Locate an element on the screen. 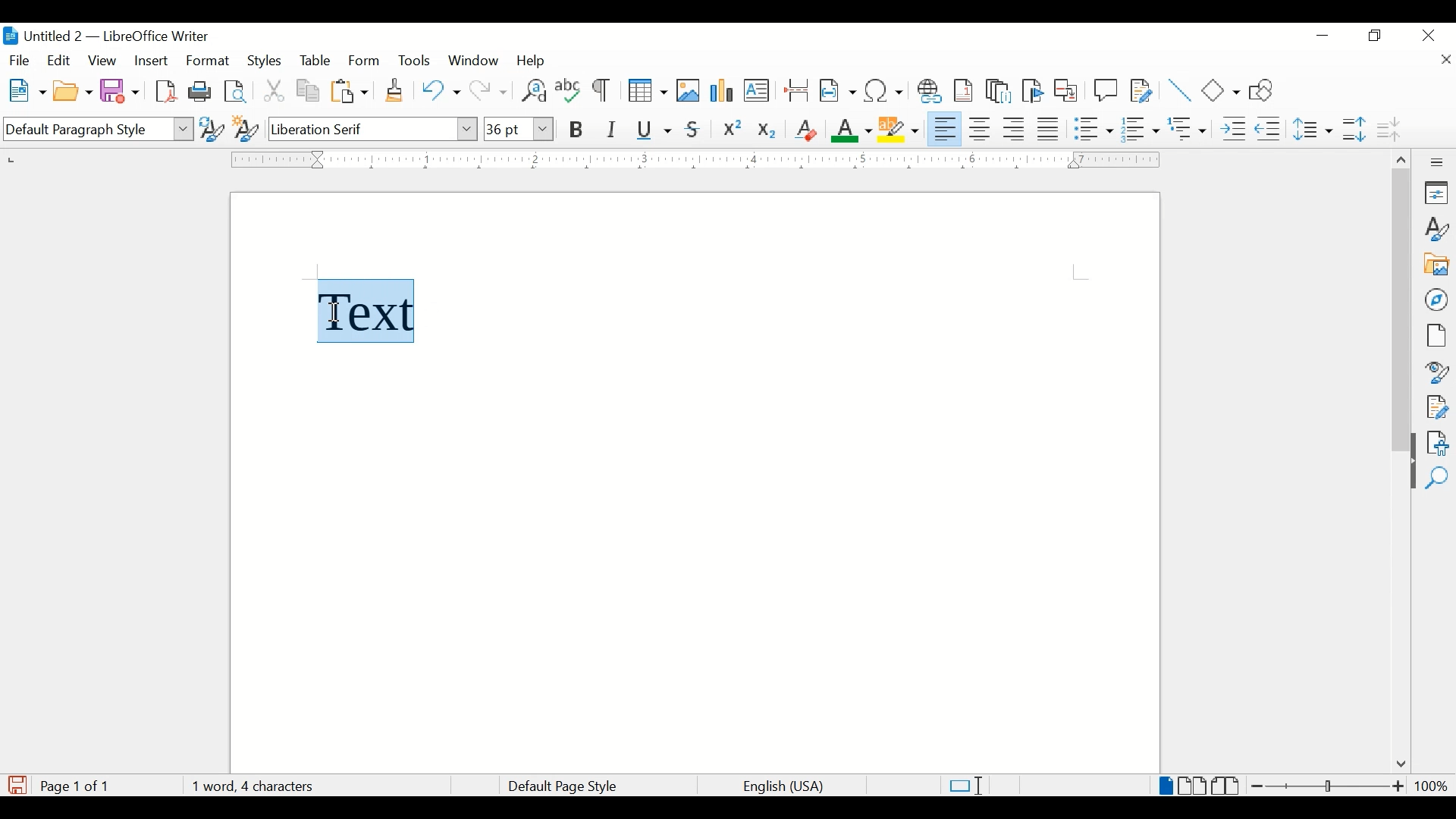  default page style is located at coordinates (560, 786).